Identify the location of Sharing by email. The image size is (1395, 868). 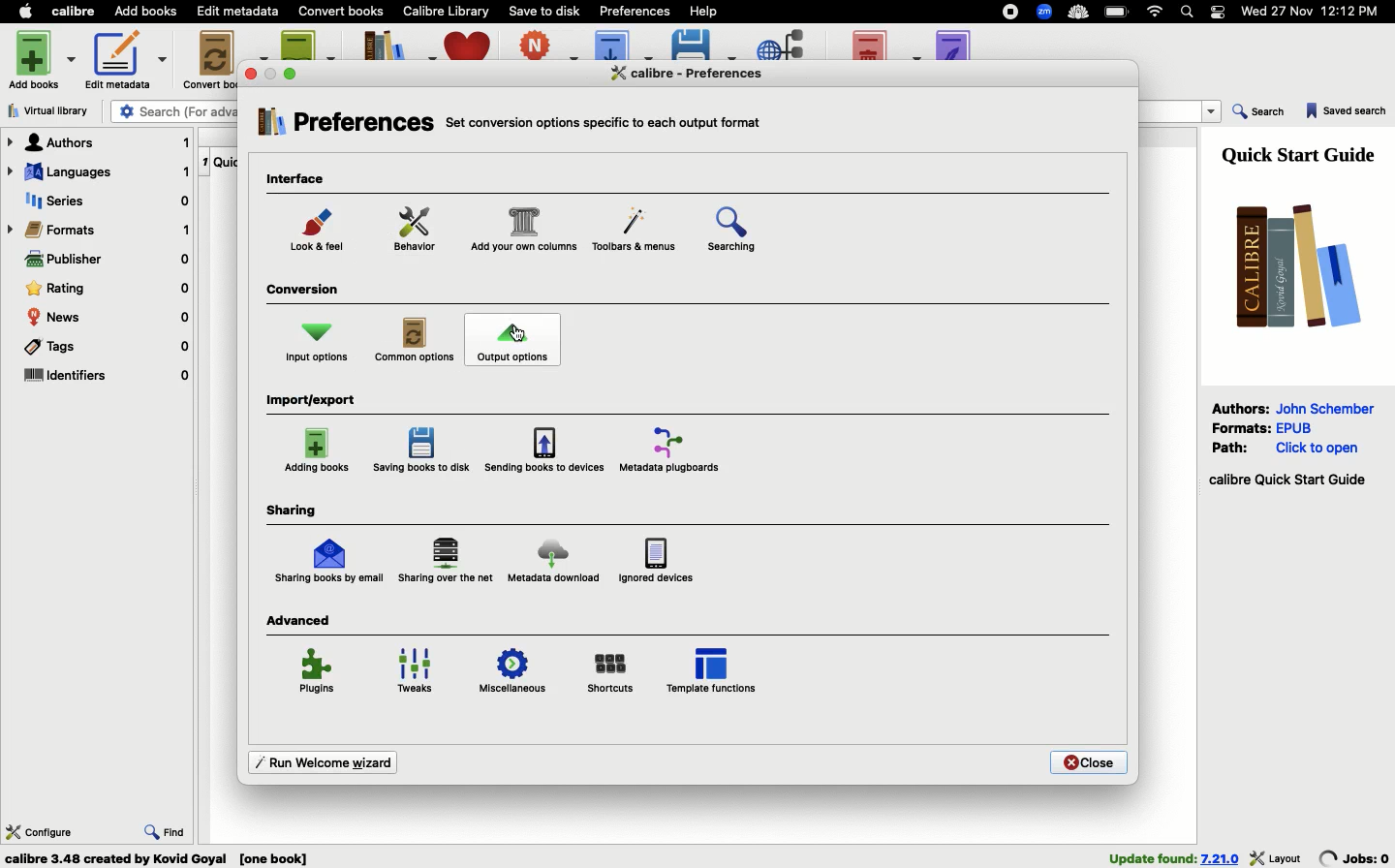
(328, 562).